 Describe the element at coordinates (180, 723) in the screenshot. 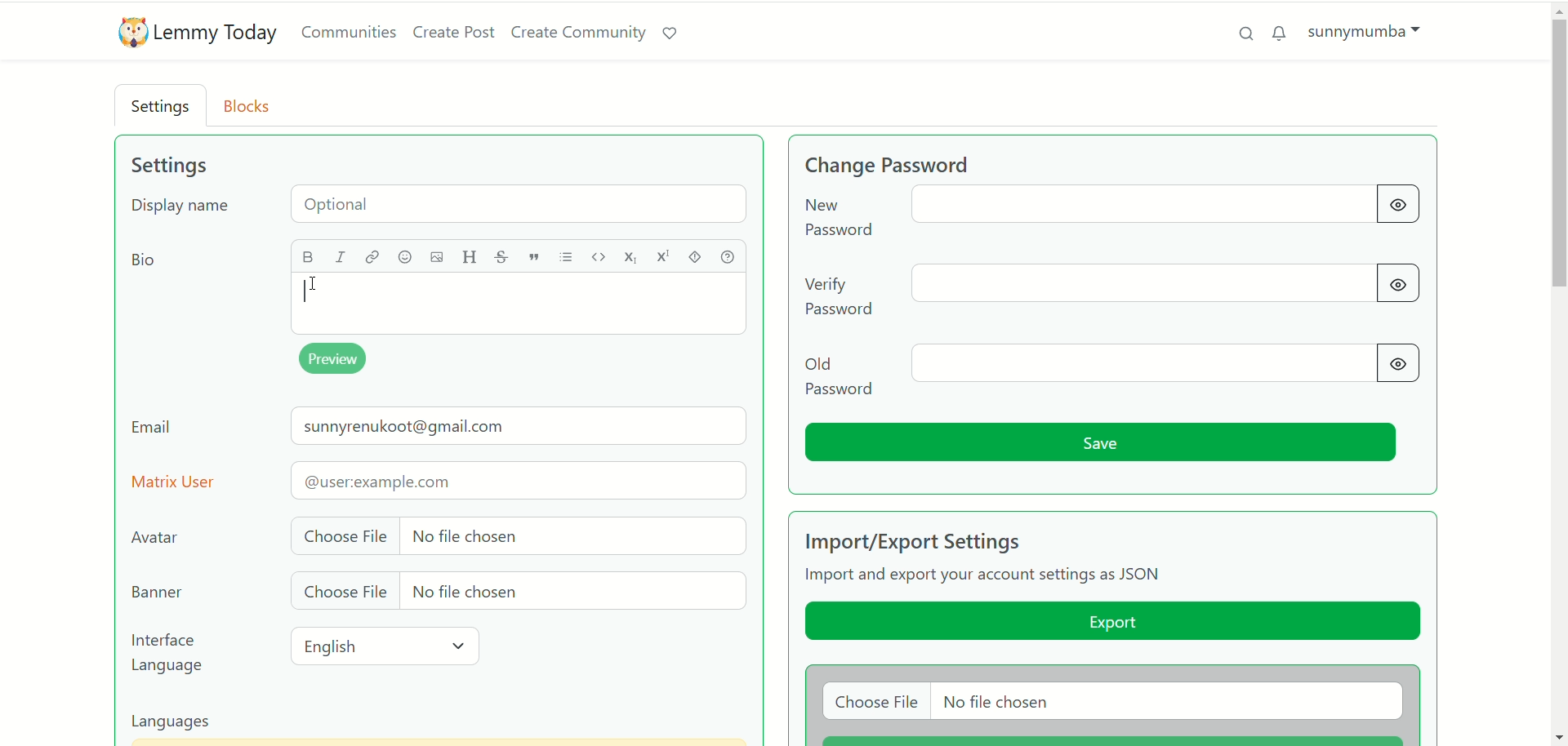

I see `languages` at that location.